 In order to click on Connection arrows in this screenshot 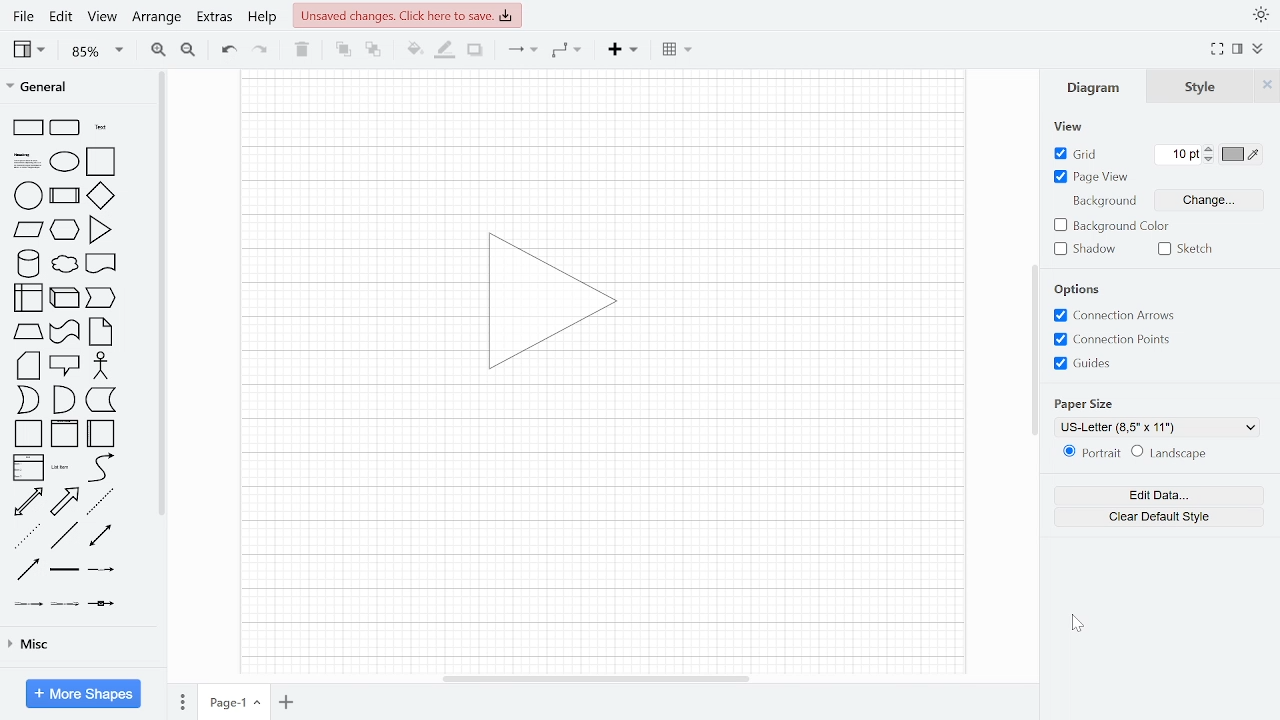, I will do `click(1114, 315)`.